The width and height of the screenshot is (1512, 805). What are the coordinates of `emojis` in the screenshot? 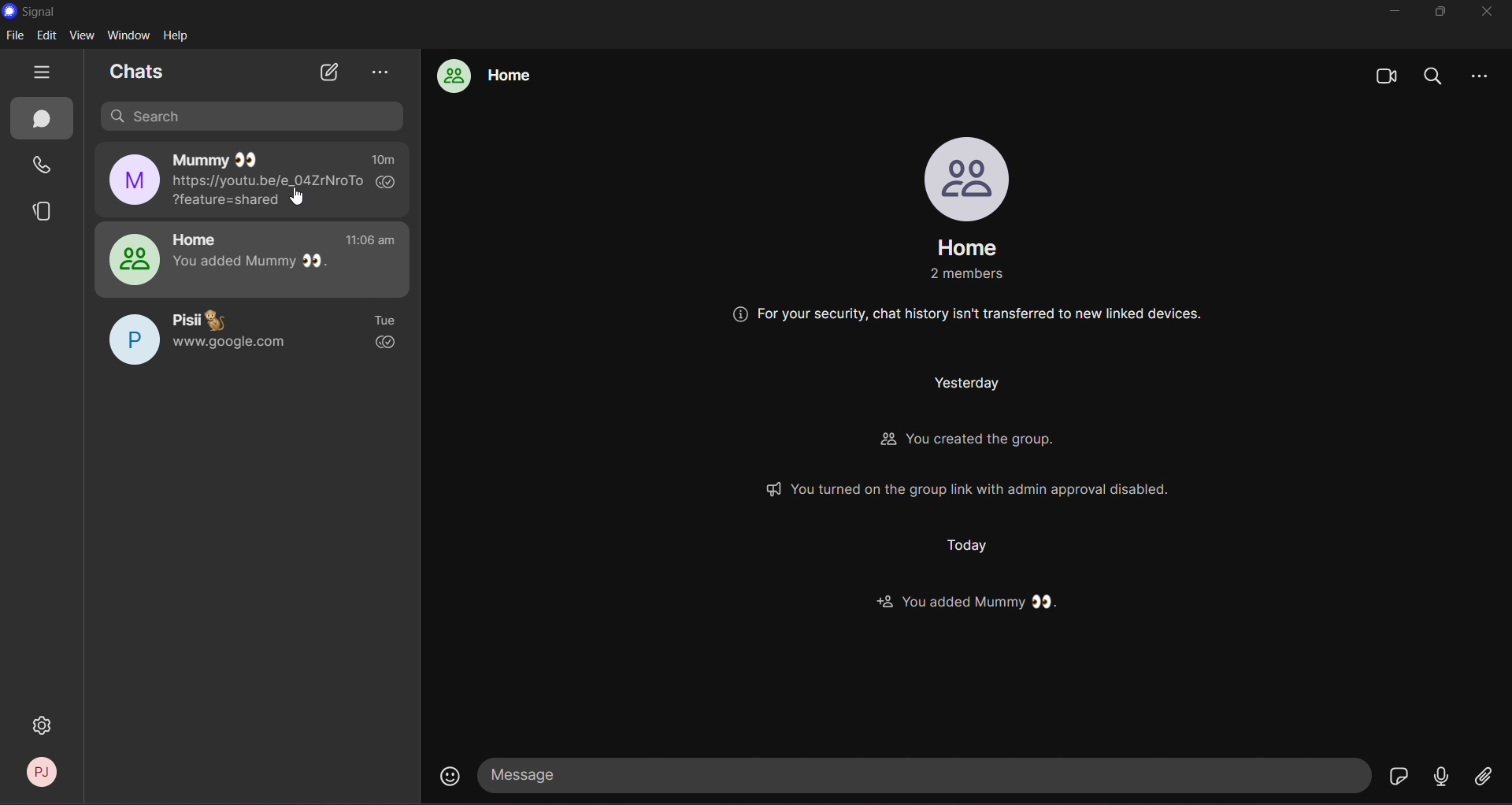 It's located at (447, 777).